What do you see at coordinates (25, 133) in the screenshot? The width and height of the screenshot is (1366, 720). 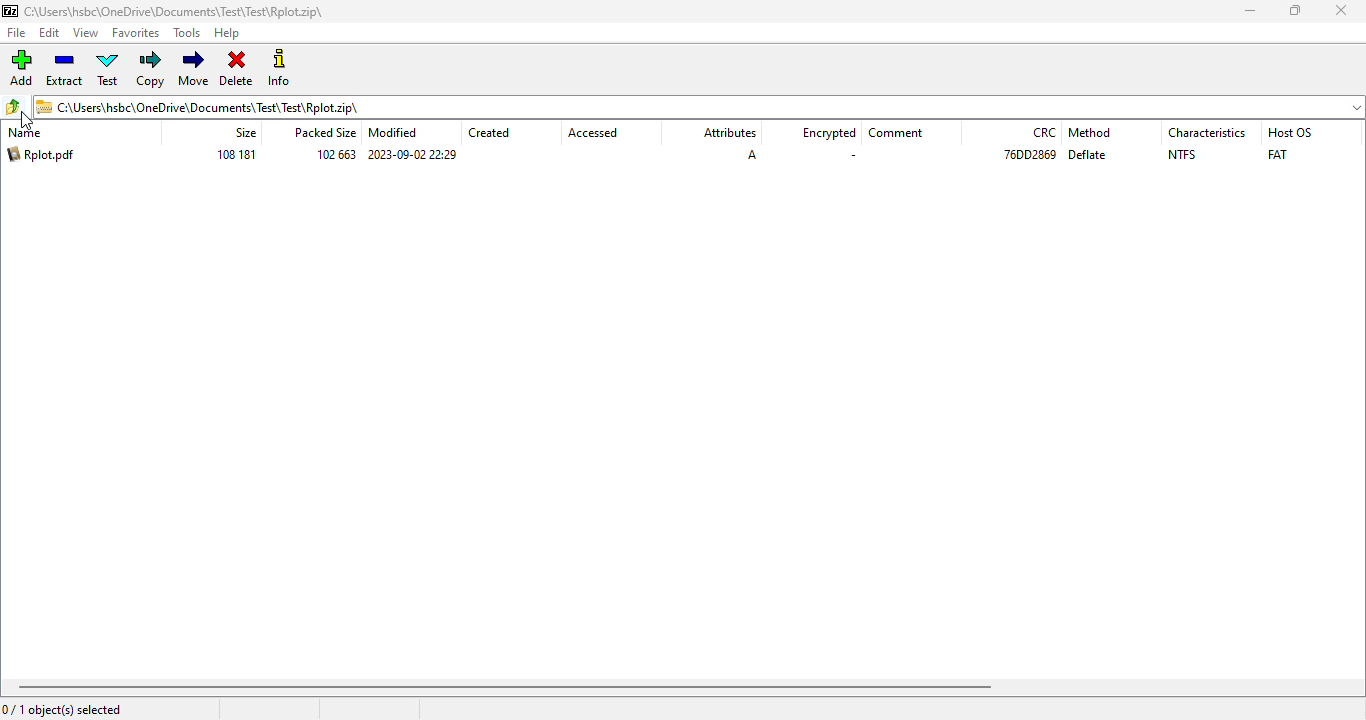 I see `name` at bounding box center [25, 133].